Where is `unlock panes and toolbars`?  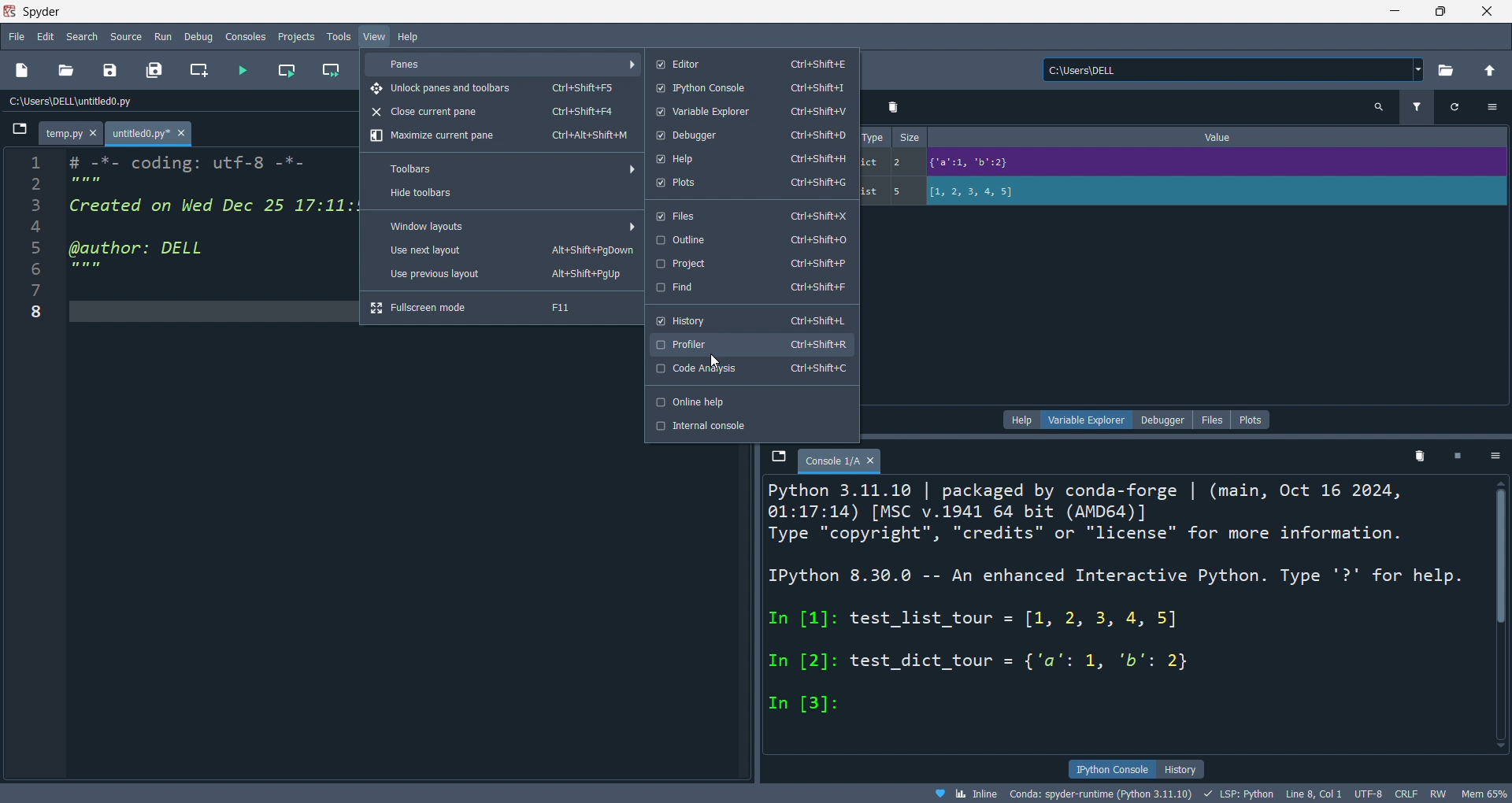 unlock panes and toolbars is located at coordinates (502, 91).